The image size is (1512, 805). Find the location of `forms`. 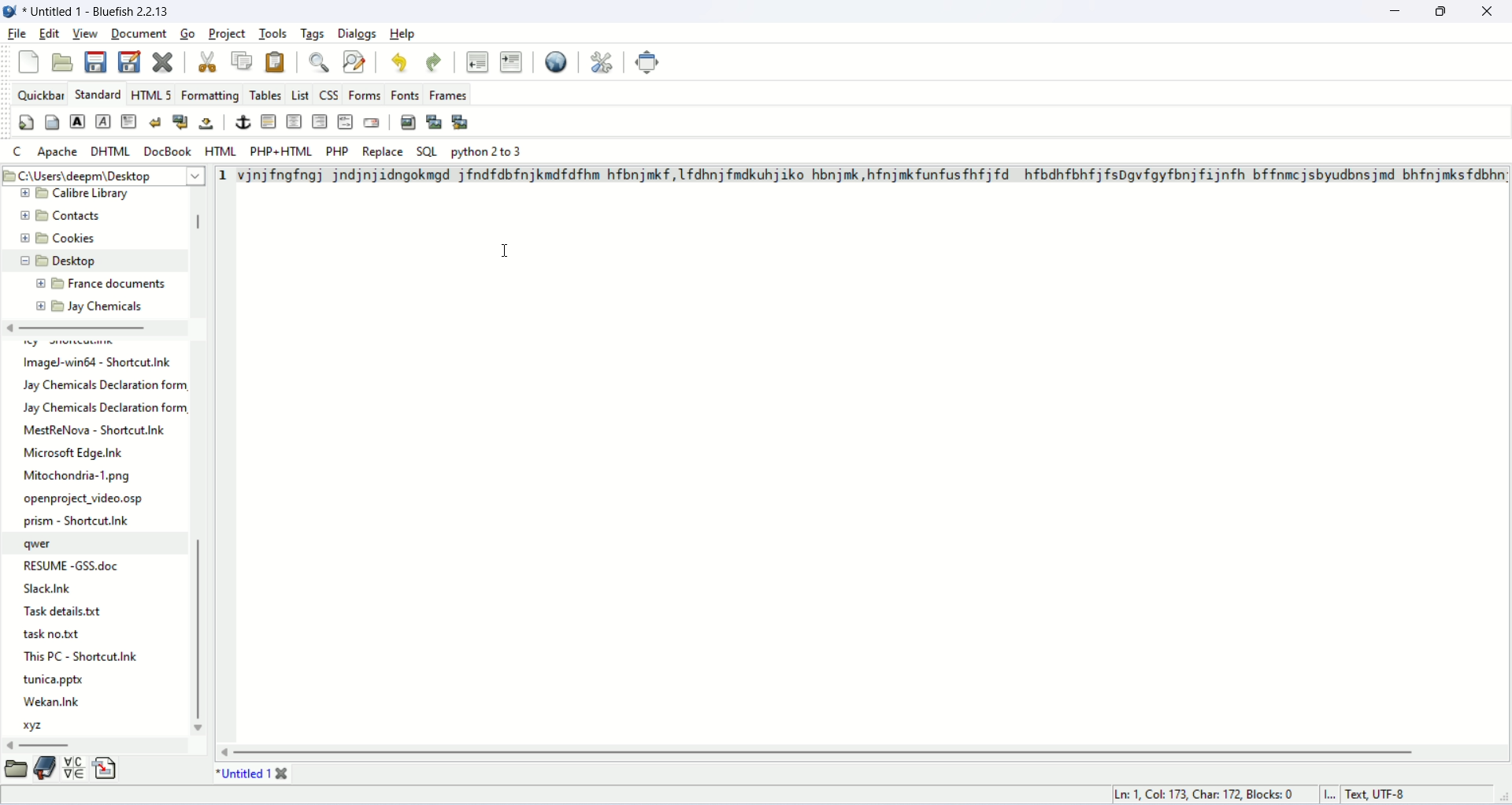

forms is located at coordinates (365, 95).